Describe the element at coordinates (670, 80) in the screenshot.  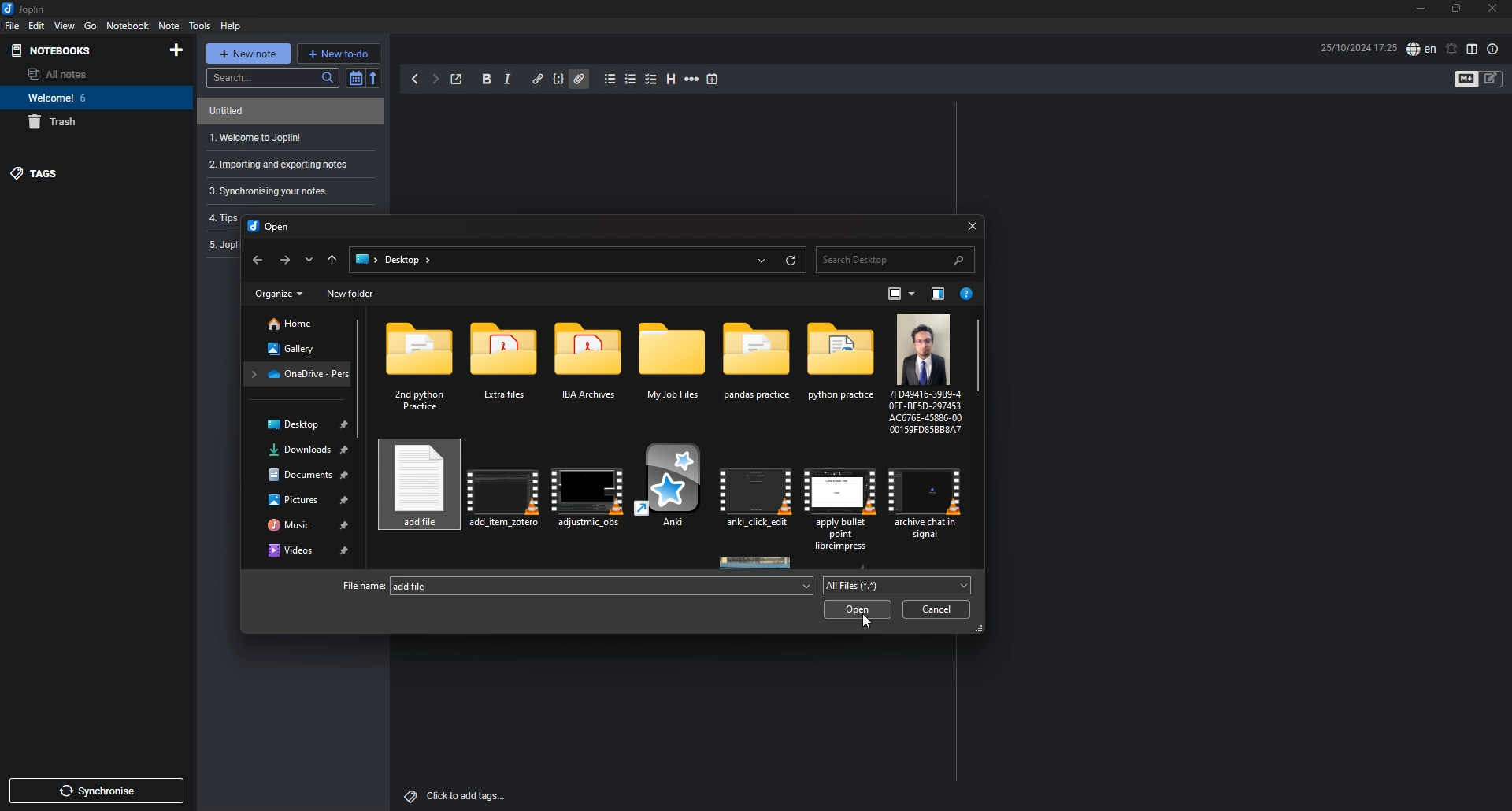
I see `heading` at that location.